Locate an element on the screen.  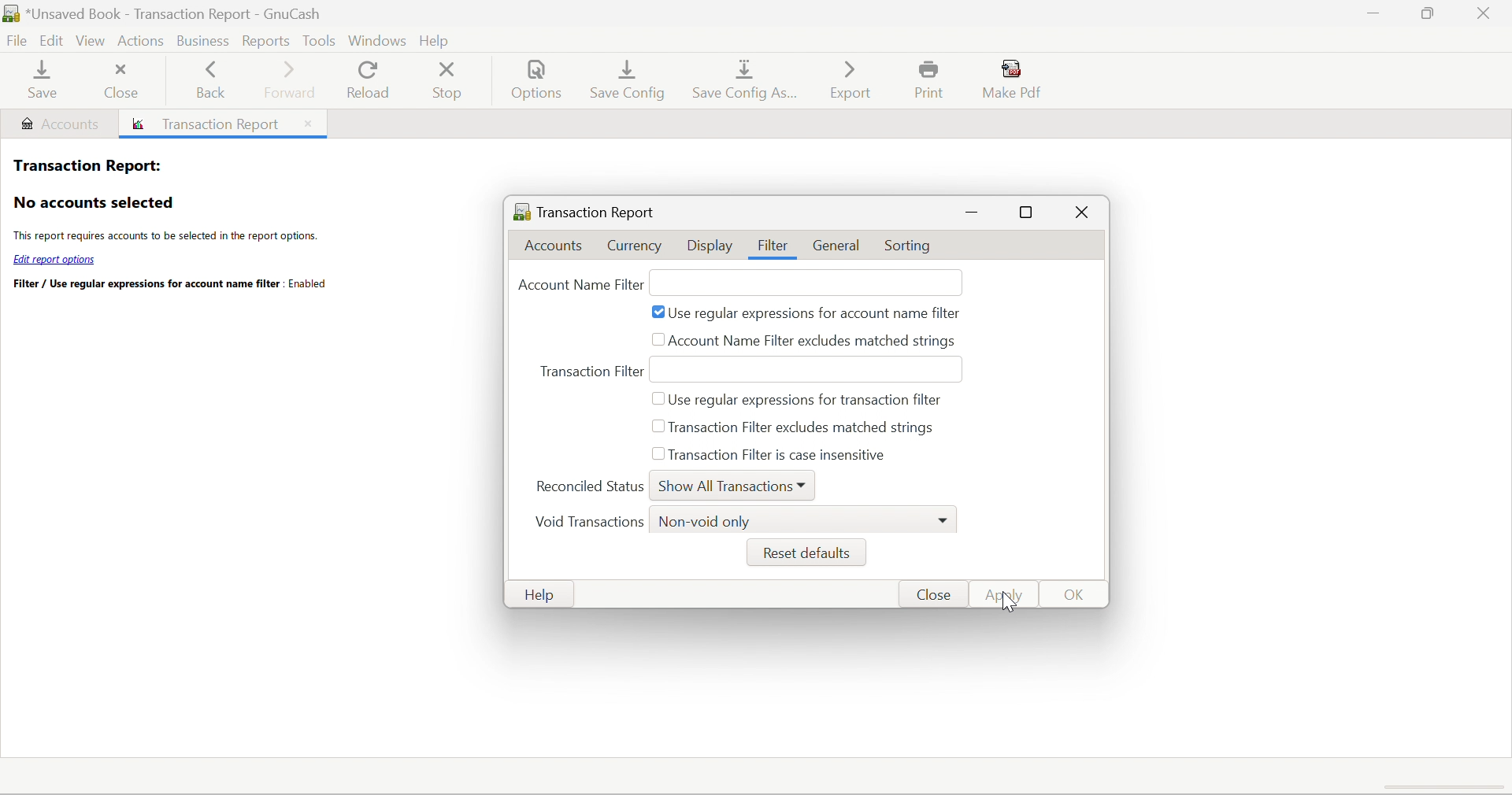
Minimize is located at coordinates (1369, 14).